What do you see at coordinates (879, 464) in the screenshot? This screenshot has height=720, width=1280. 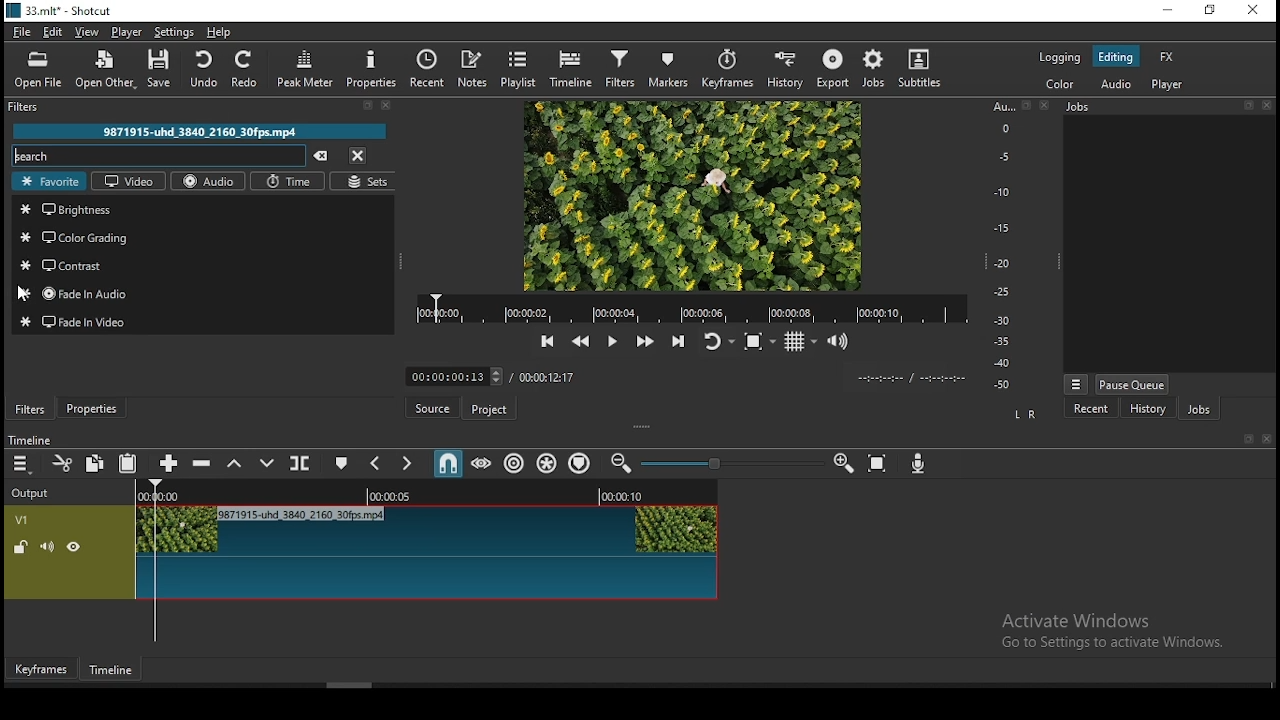 I see `zoom timeline to fit` at bounding box center [879, 464].